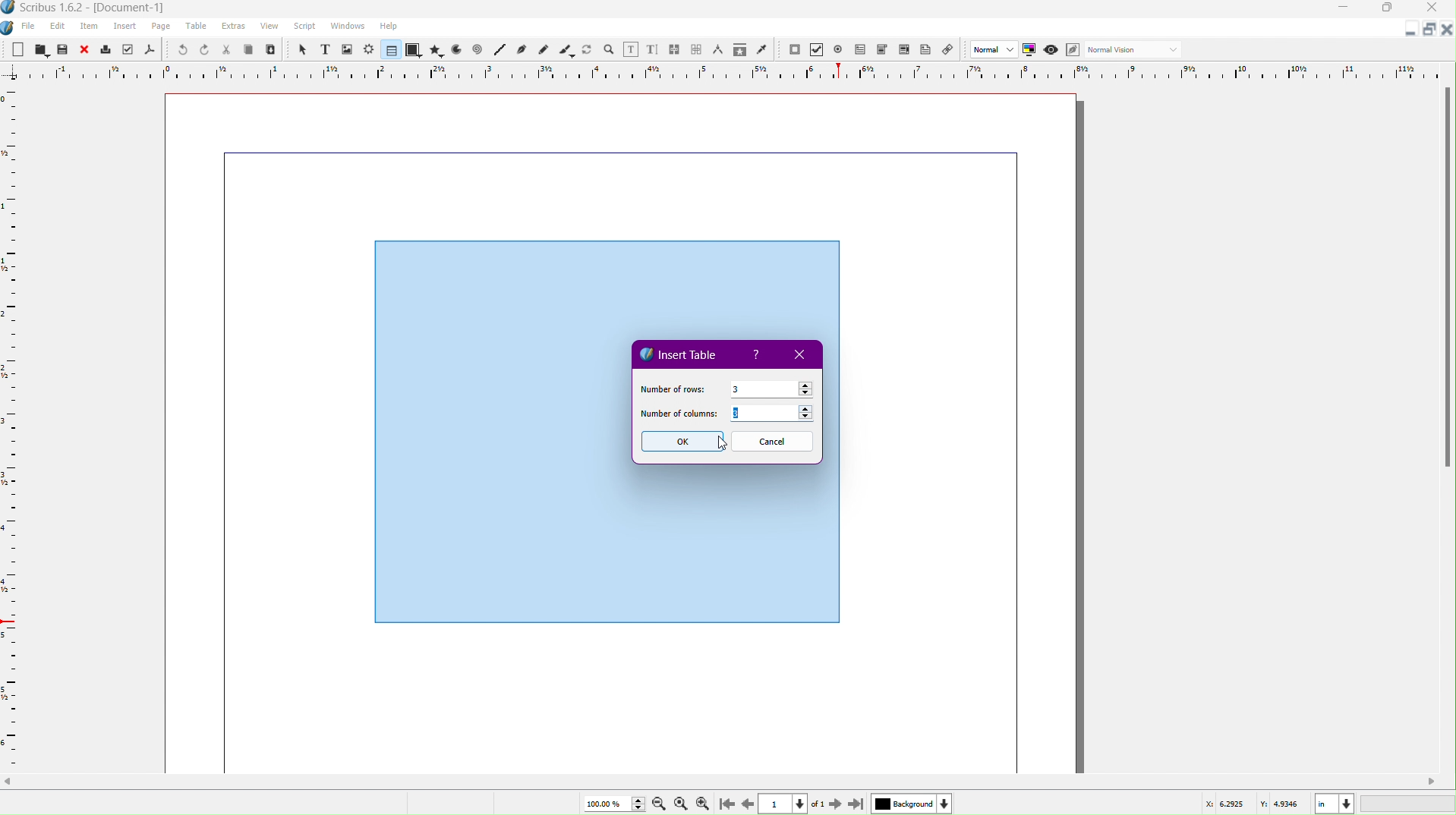  Describe the element at coordinates (64, 49) in the screenshot. I see `Save` at that location.